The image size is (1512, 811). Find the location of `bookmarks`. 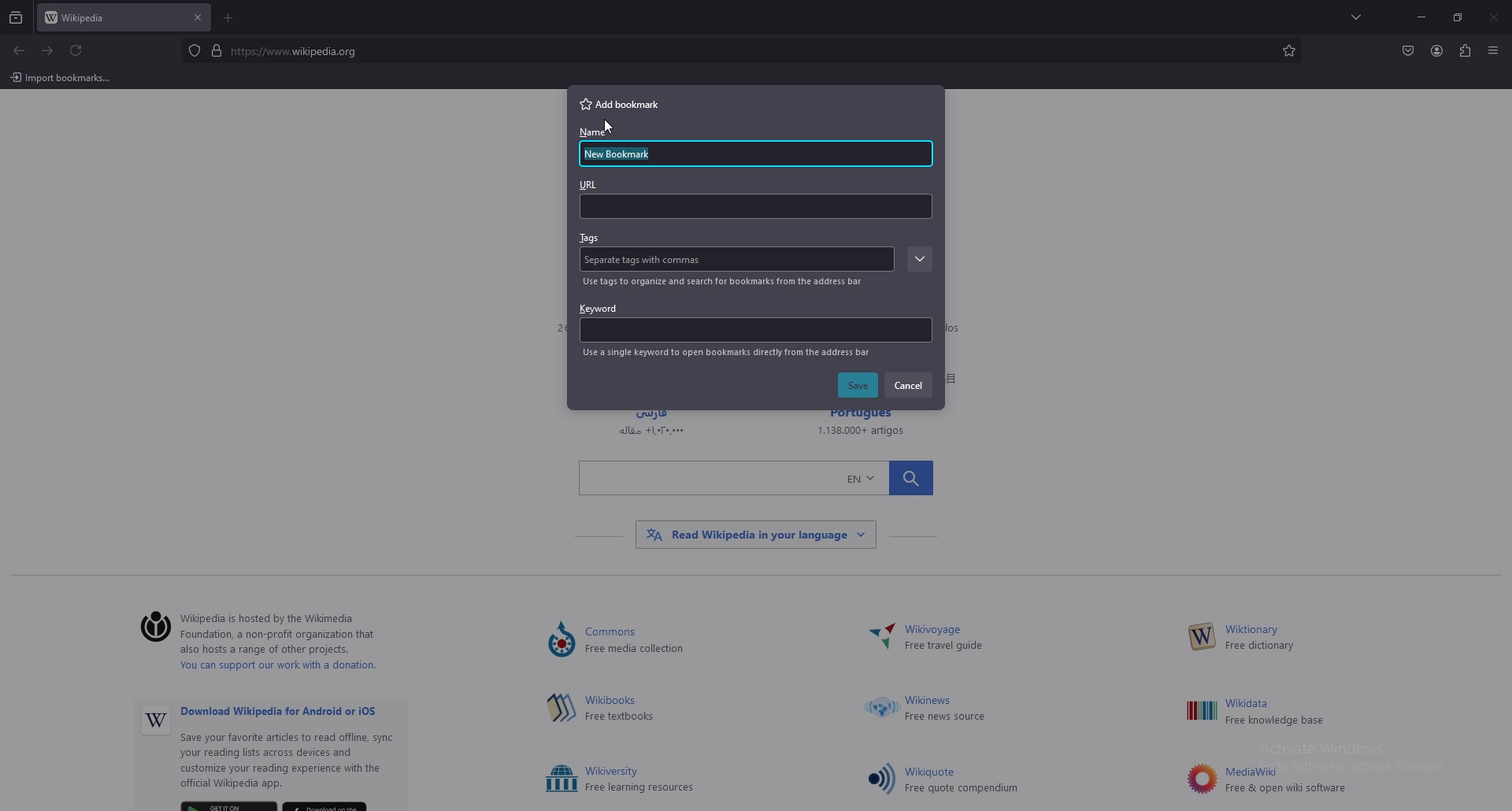

bookmarks is located at coordinates (1288, 50).